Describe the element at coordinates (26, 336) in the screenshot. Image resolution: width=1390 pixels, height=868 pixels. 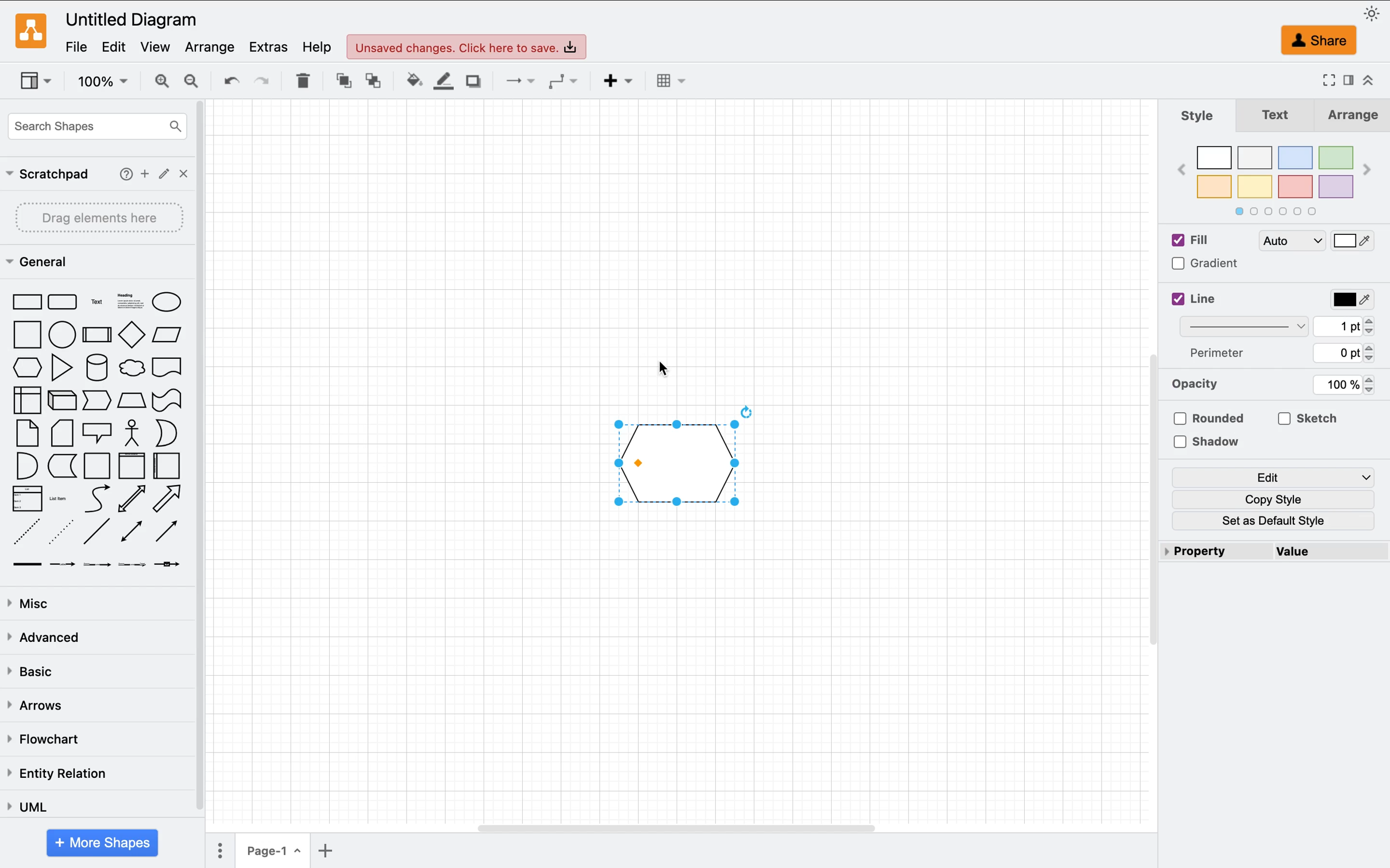
I see `square` at that location.